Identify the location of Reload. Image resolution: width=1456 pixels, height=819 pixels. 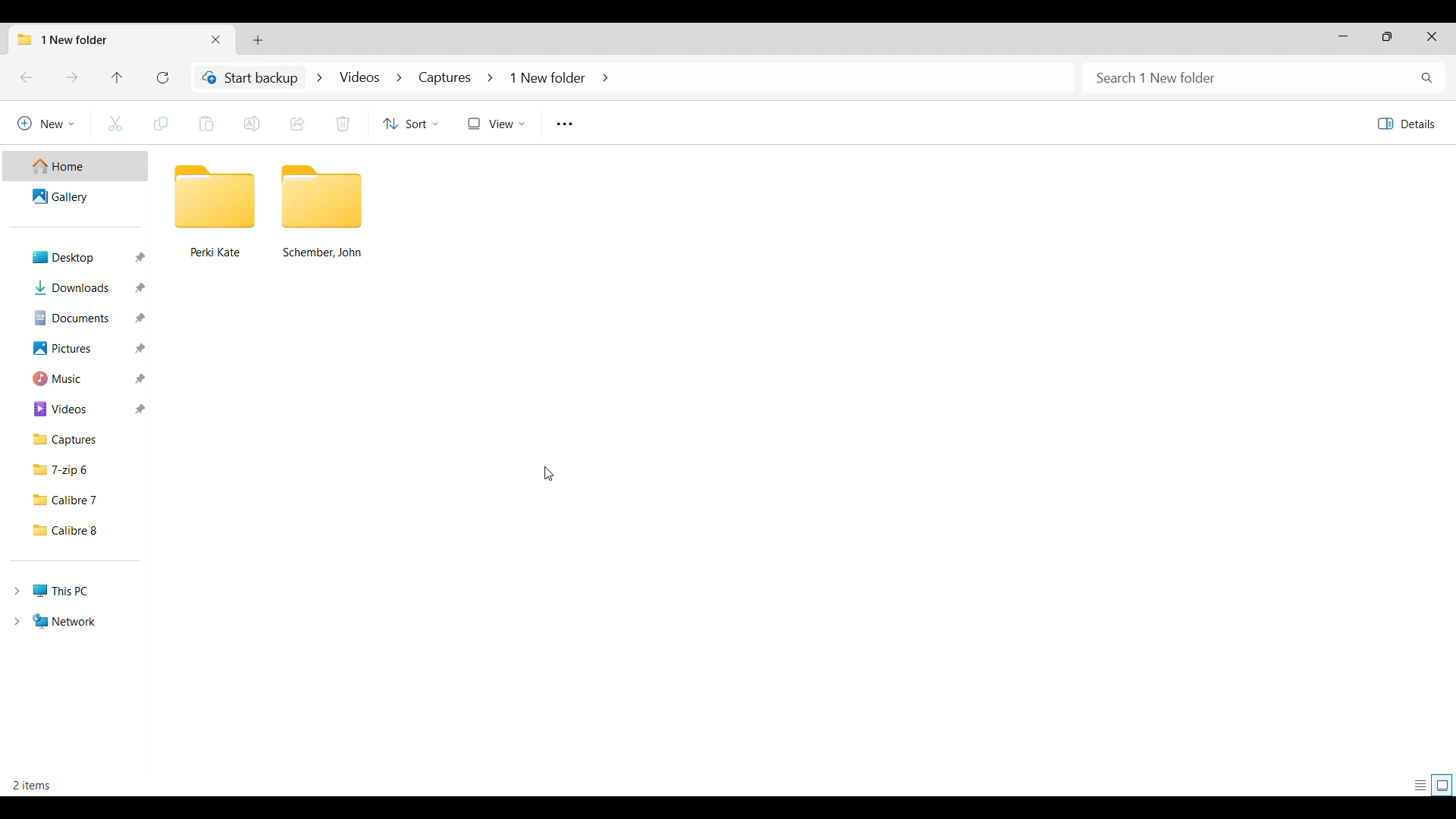
(163, 77).